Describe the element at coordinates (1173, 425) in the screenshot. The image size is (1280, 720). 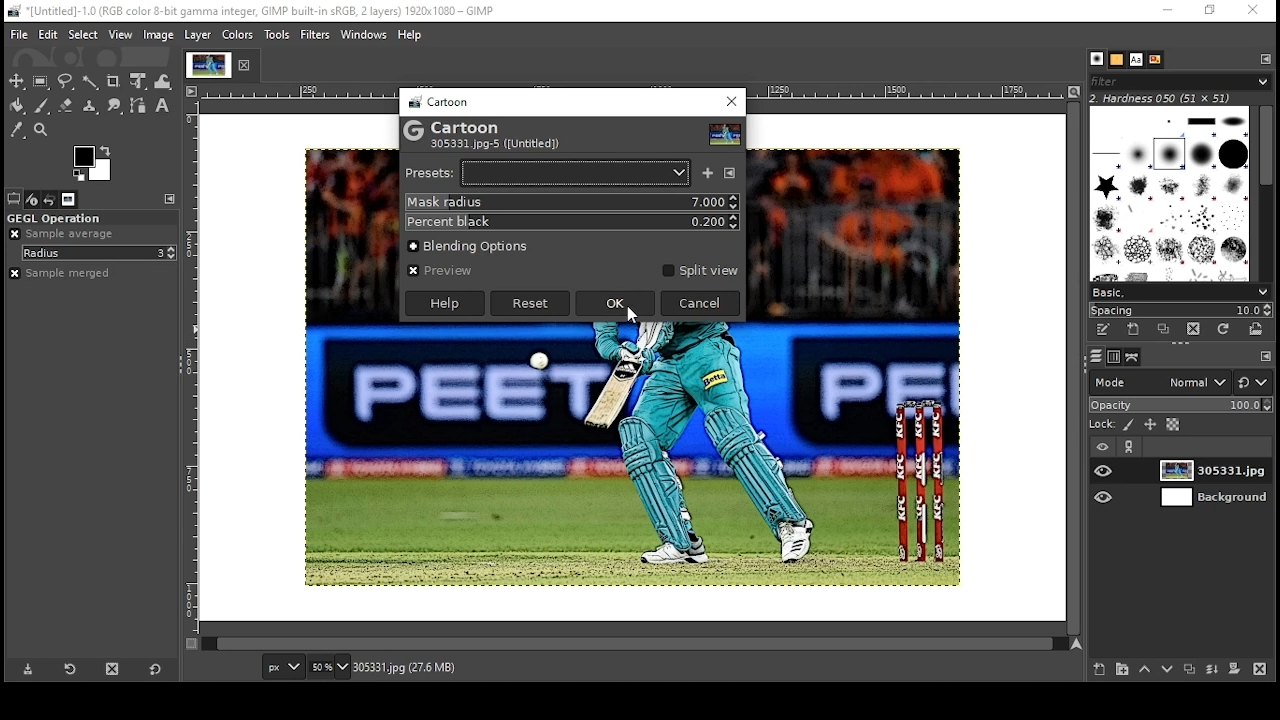
I see `lock alpha channel` at that location.